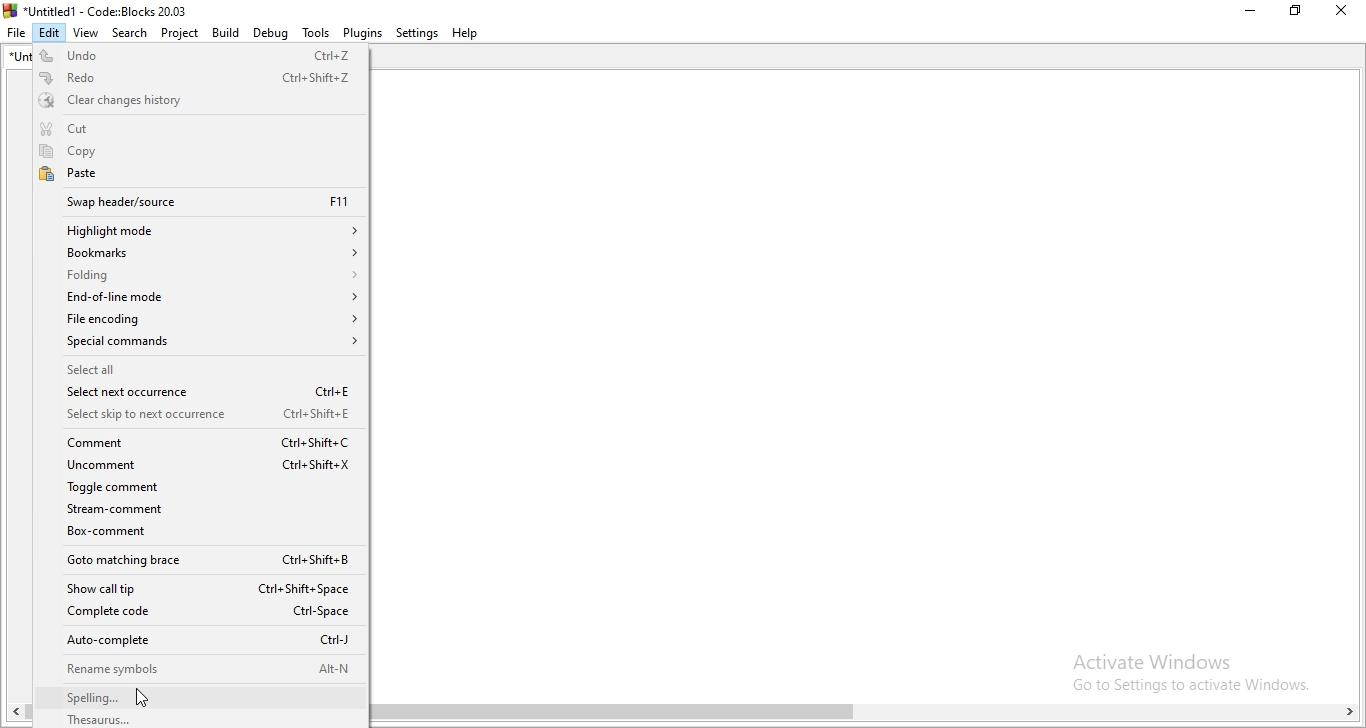 The height and width of the screenshot is (728, 1366). I want to click on Comment, so click(200, 444).